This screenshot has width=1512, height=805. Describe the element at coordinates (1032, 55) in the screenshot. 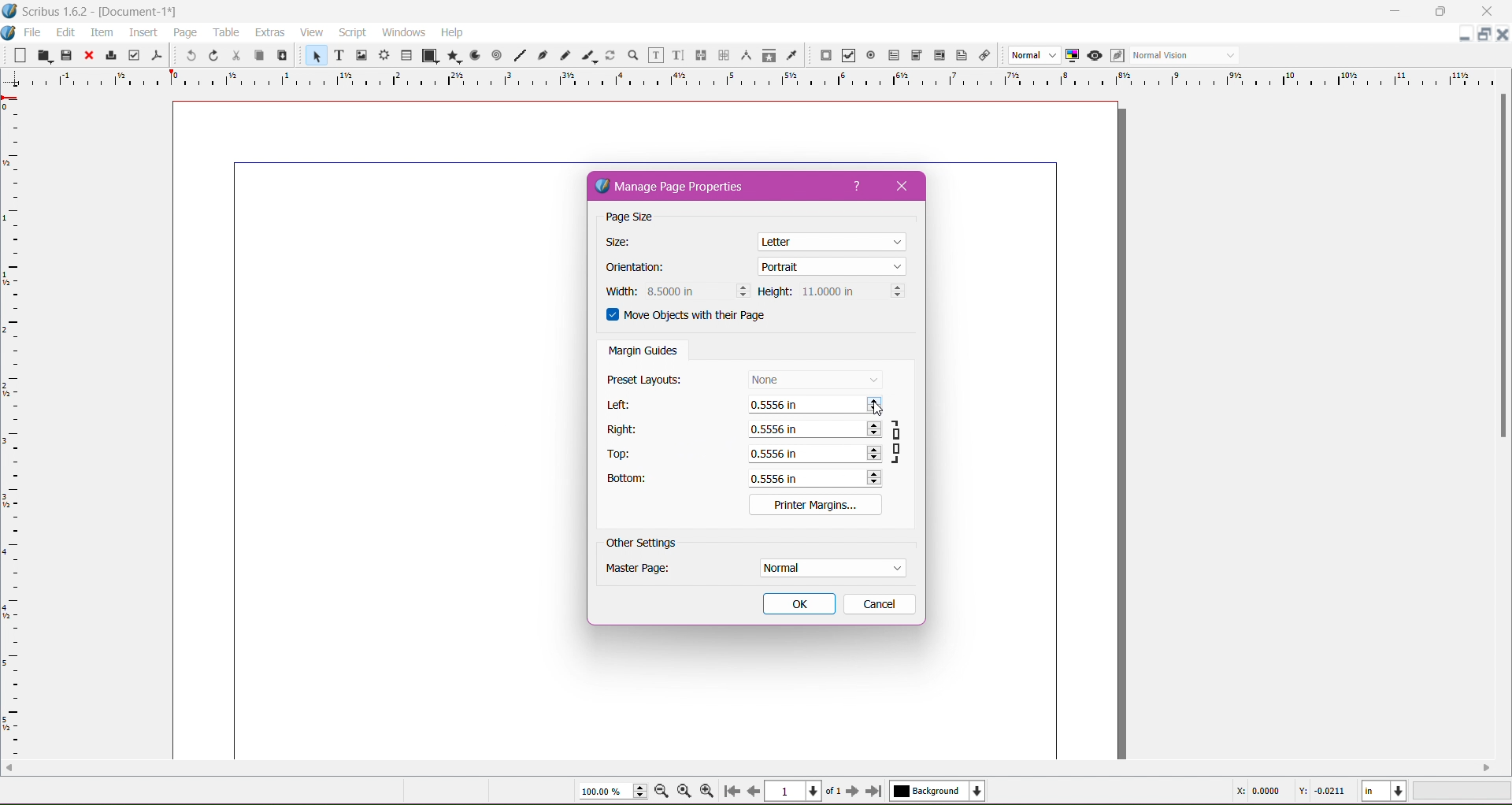

I see `Select the image preview quality` at that location.